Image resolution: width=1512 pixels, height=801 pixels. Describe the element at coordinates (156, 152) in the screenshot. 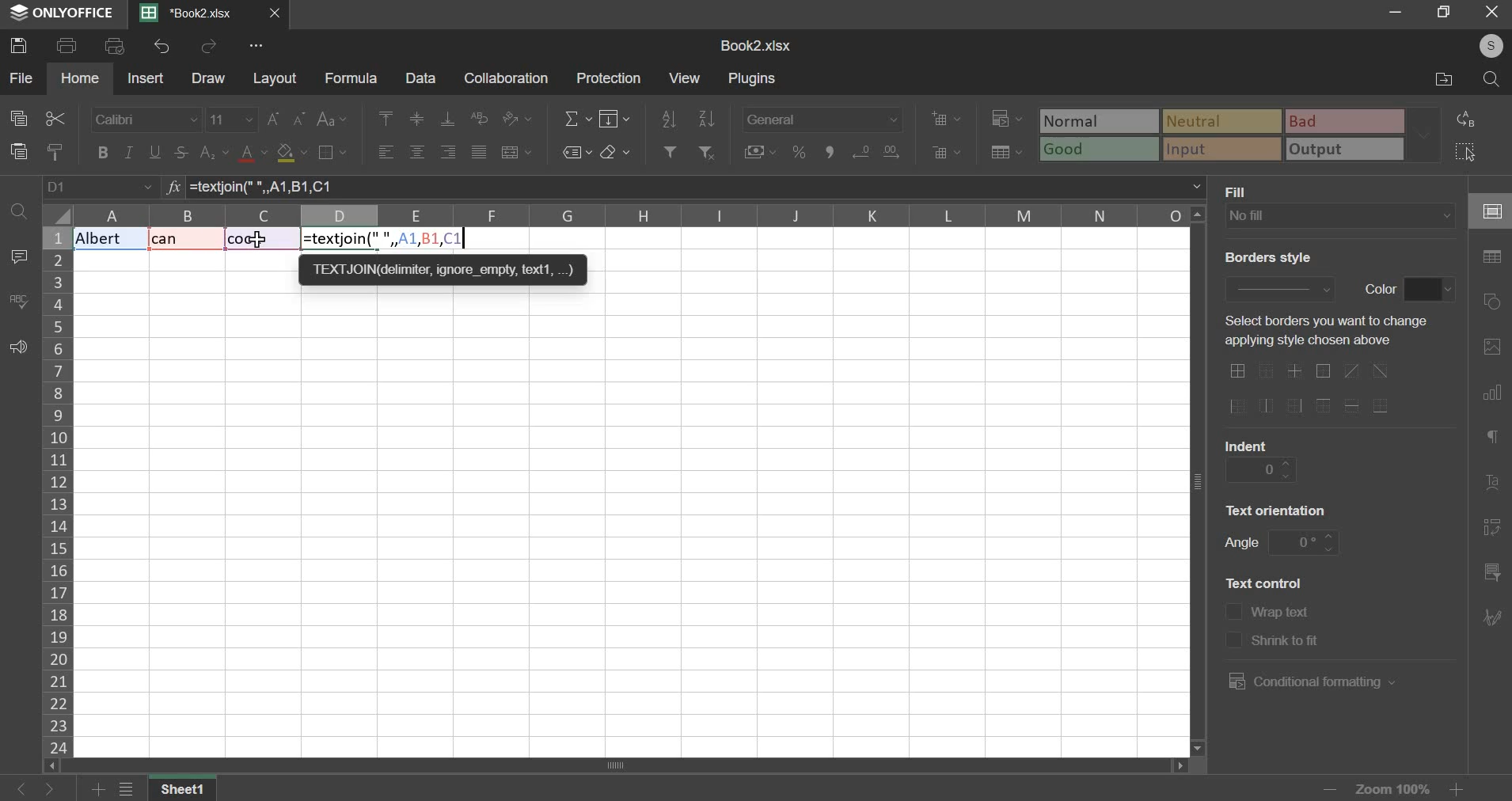

I see `underline` at that location.